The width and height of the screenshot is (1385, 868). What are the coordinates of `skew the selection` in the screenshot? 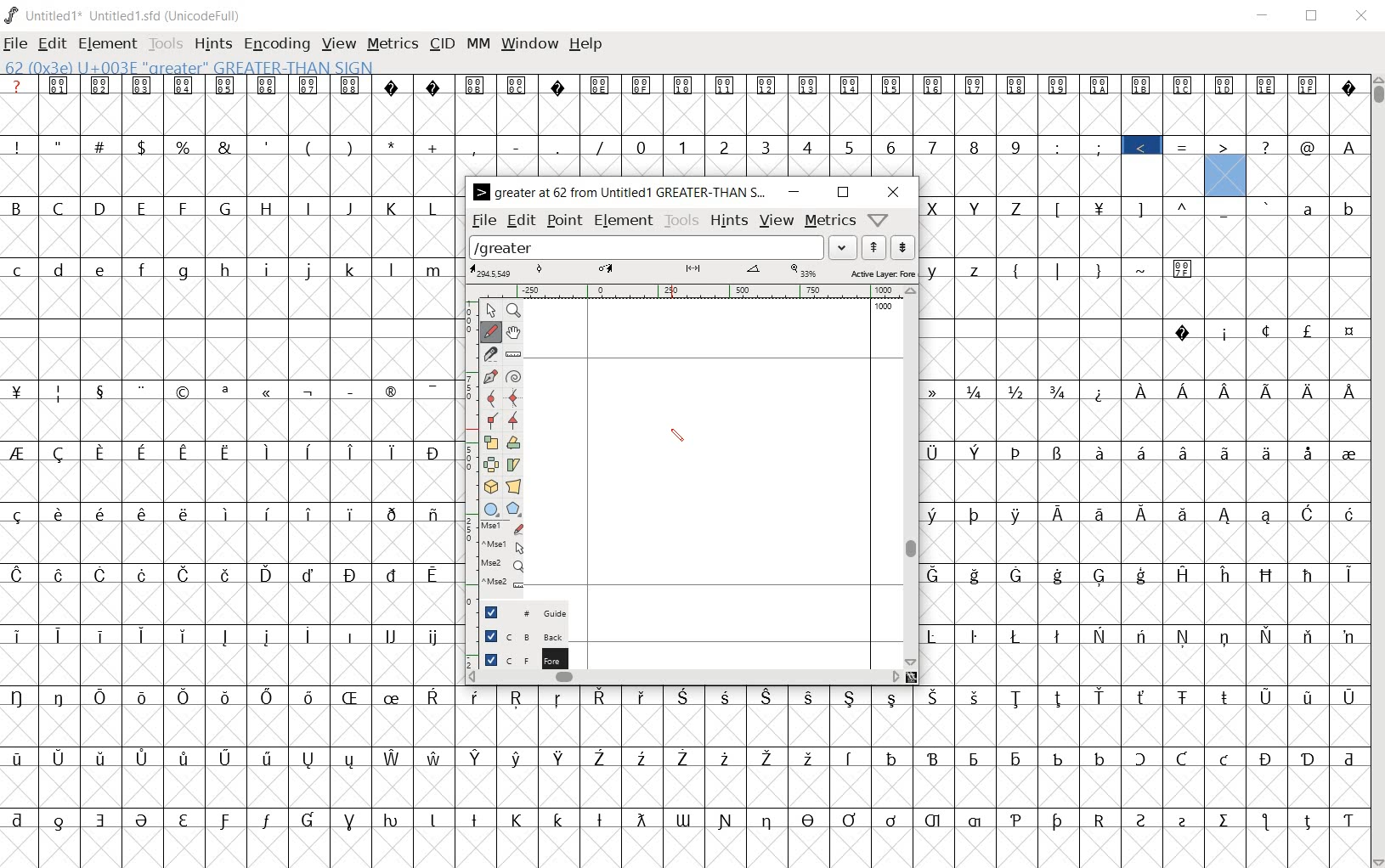 It's located at (513, 465).